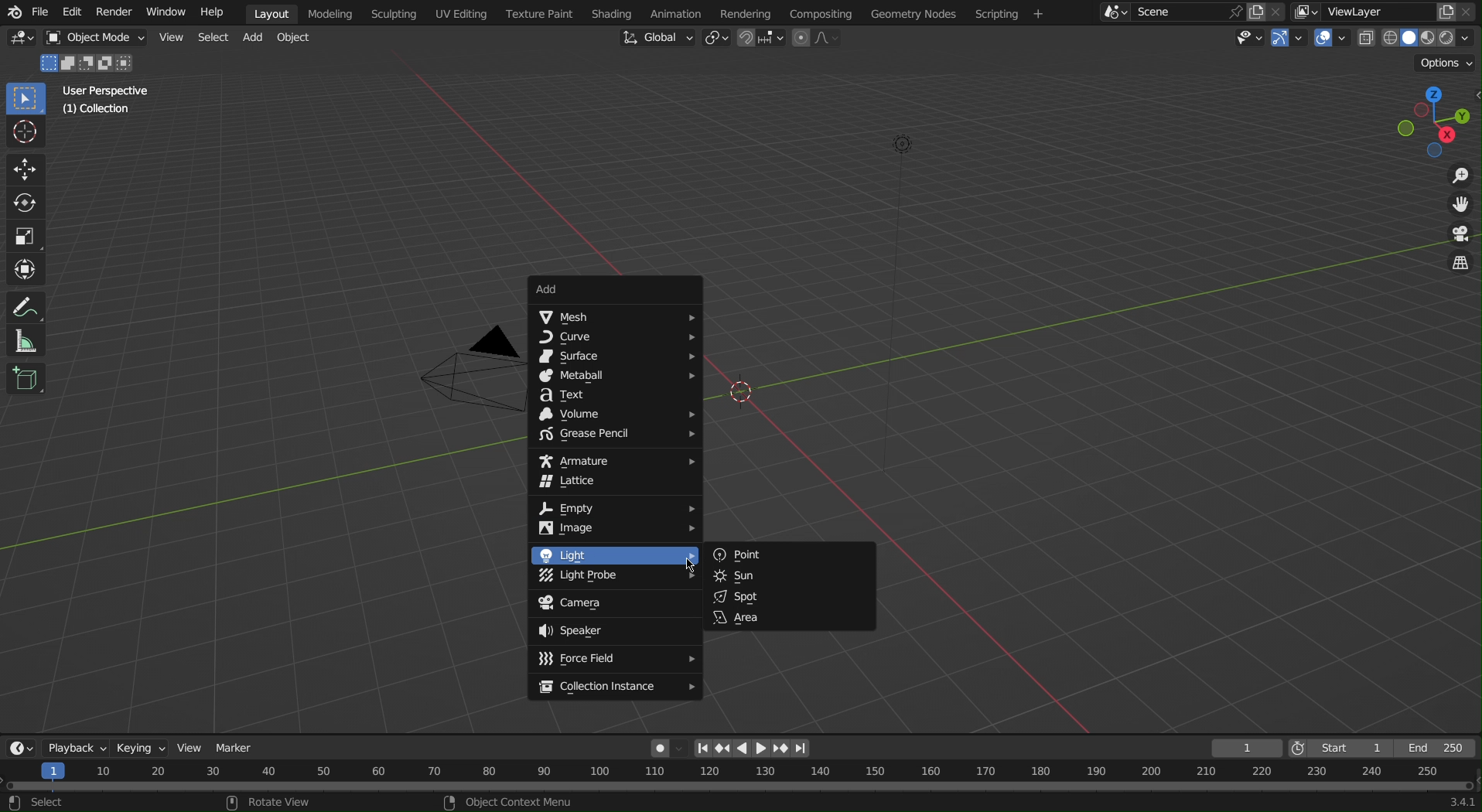 This screenshot has height=812, width=1482. Describe the element at coordinates (1458, 265) in the screenshot. I see `Toggle View` at that location.